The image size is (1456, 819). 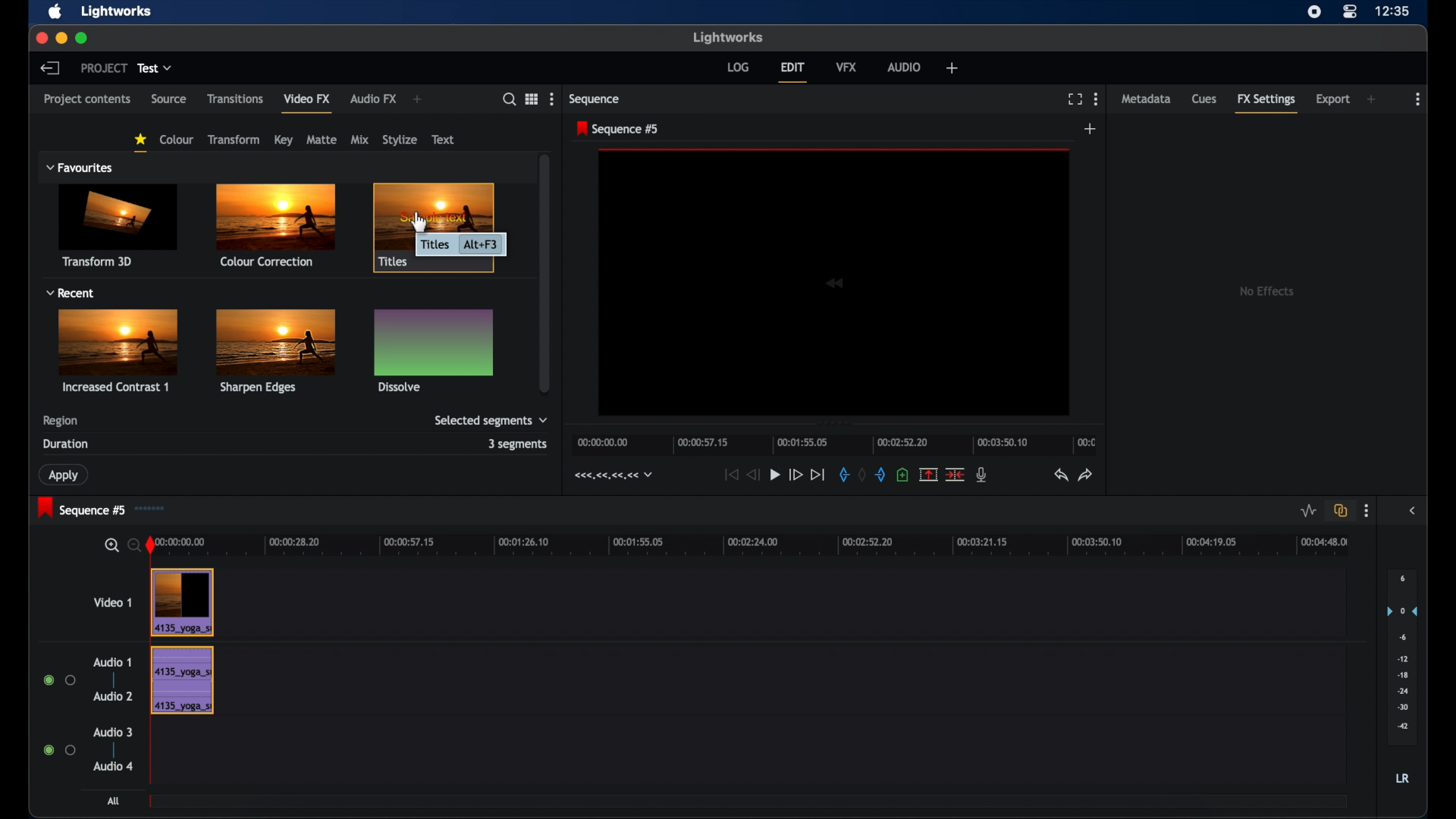 I want to click on 3 segments, so click(x=518, y=444).